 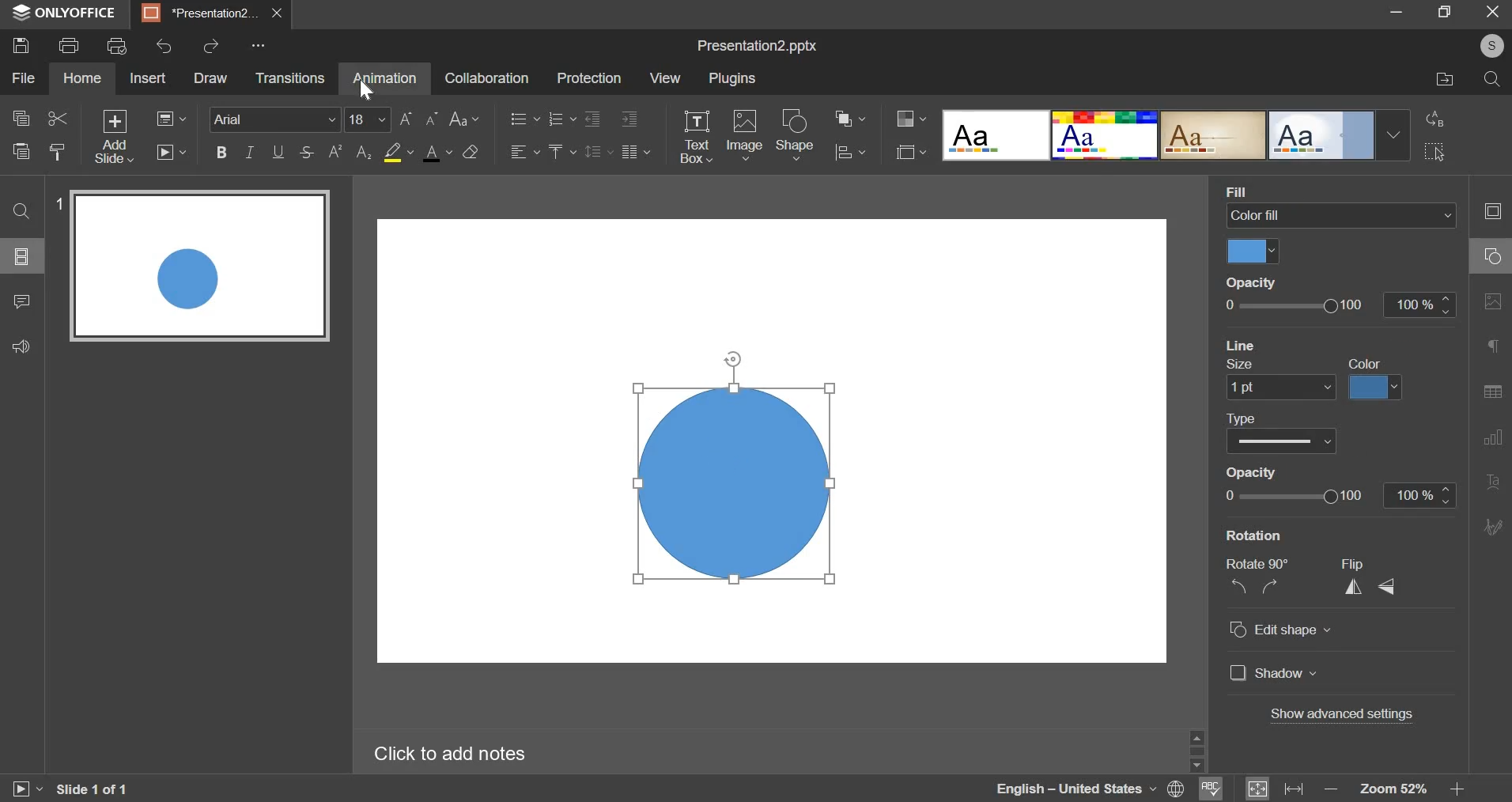 What do you see at coordinates (562, 151) in the screenshot?
I see `vertical alignment` at bounding box center [562, 151].